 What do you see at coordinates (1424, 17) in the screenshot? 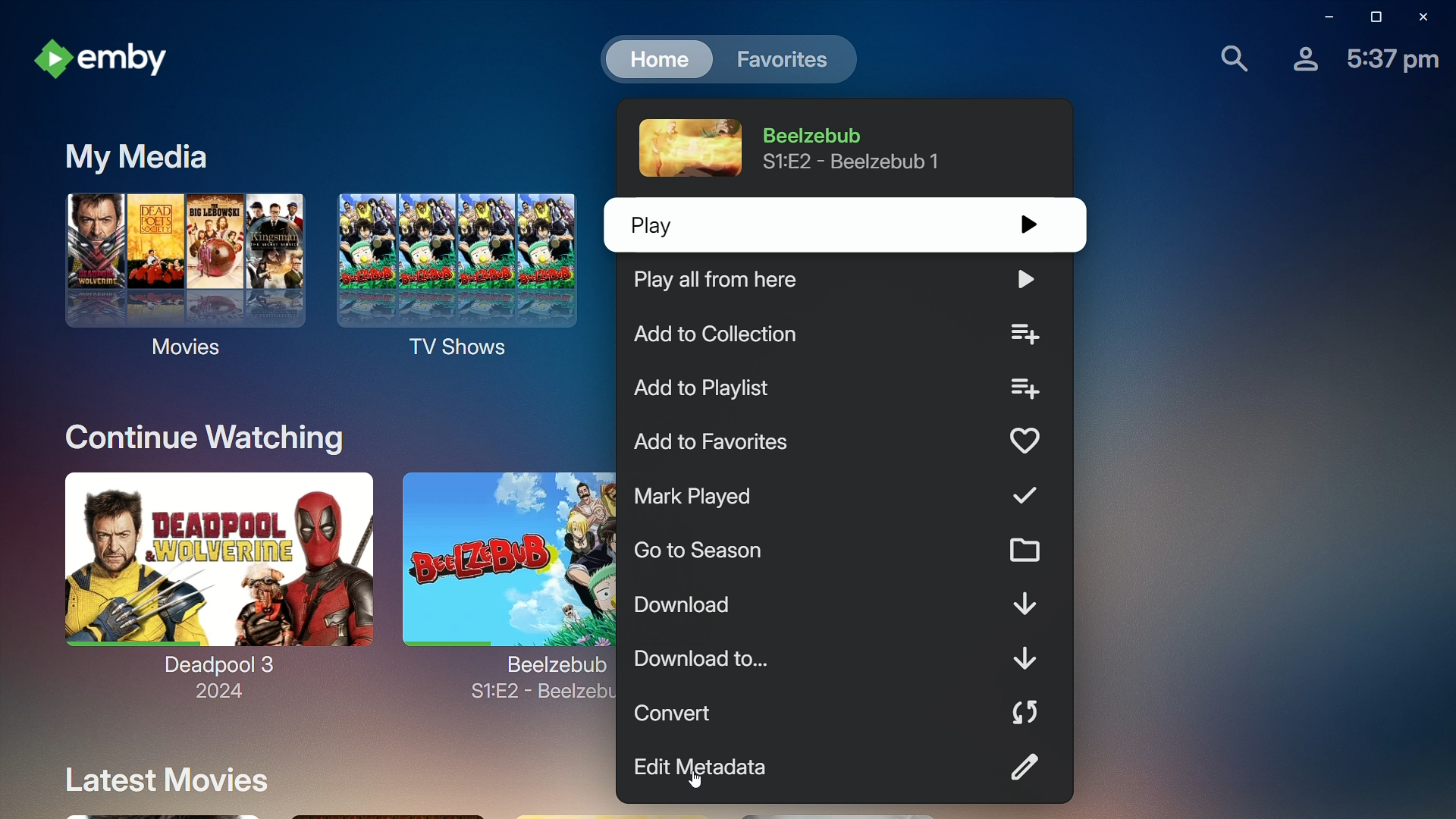
I see `Close` at bounding box center [1424, 17].